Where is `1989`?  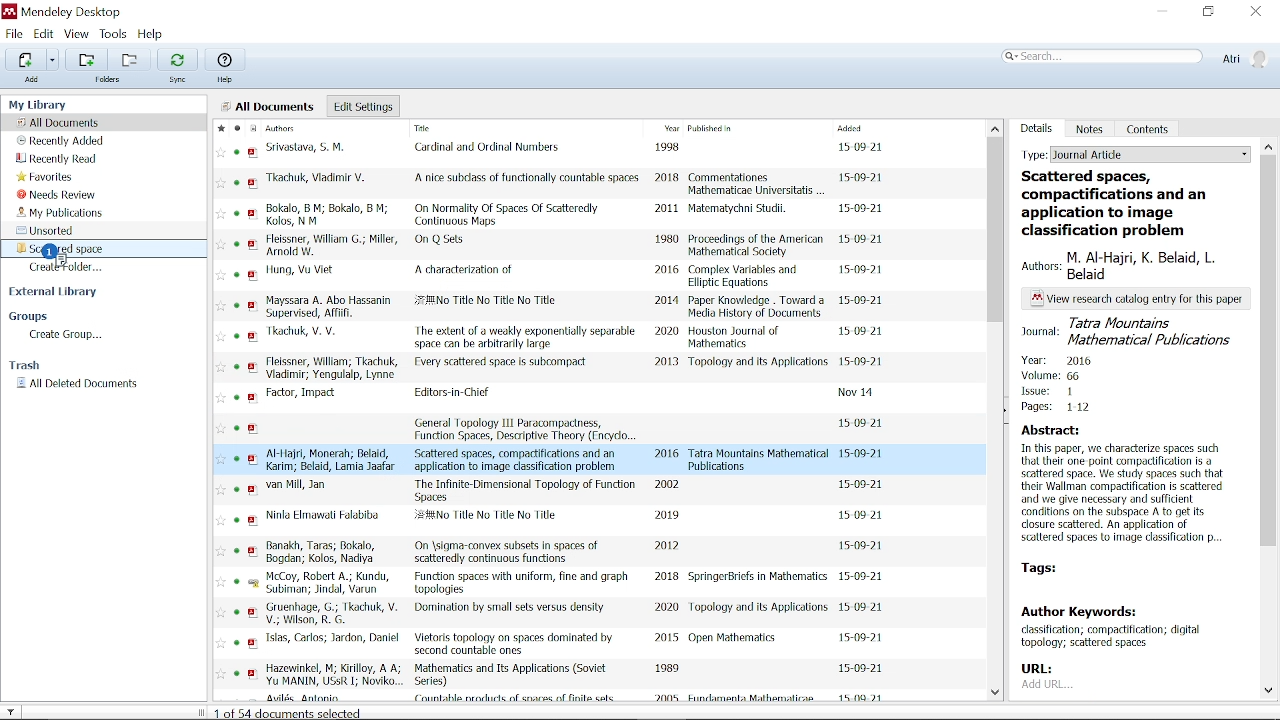
1989 is located at coordinates (667, 669).